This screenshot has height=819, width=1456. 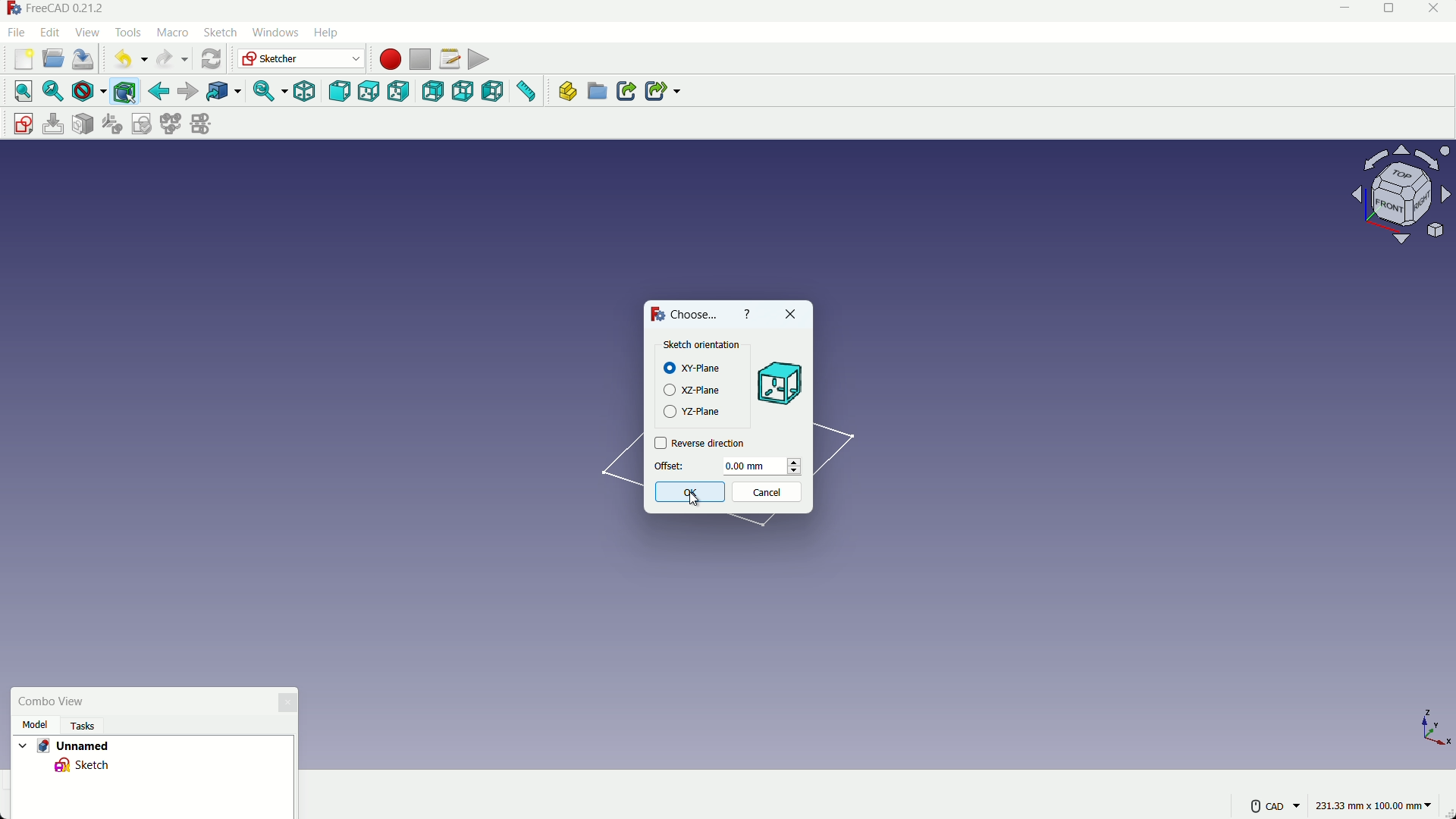 What do you see at coordinates (275, 33) in the screenshot?
I see `windows menu` at bounding box center [275, 33].